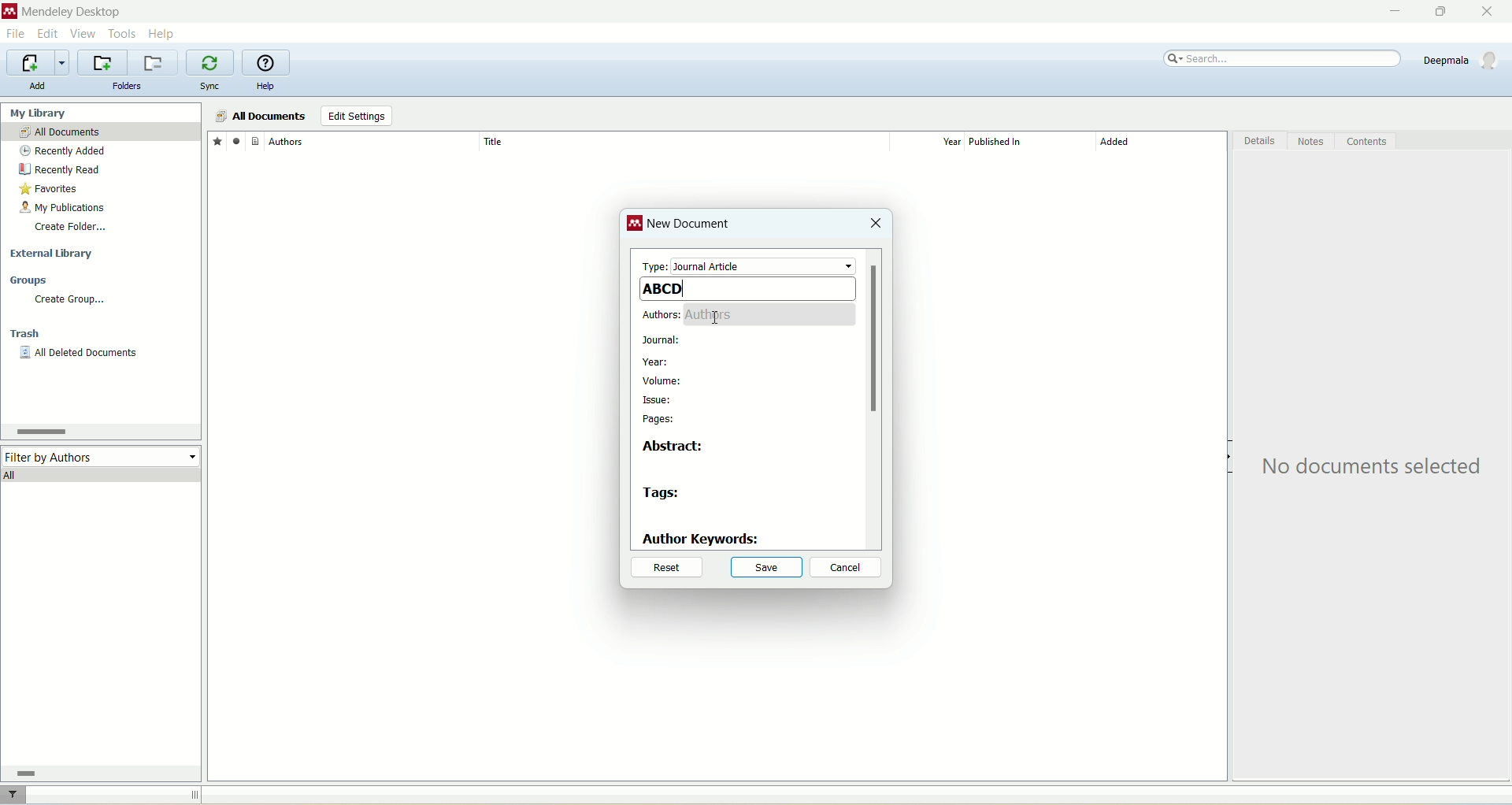 The height and width of the screenshot is (805, 1512). I want to click on abstract, so click(678, 446).